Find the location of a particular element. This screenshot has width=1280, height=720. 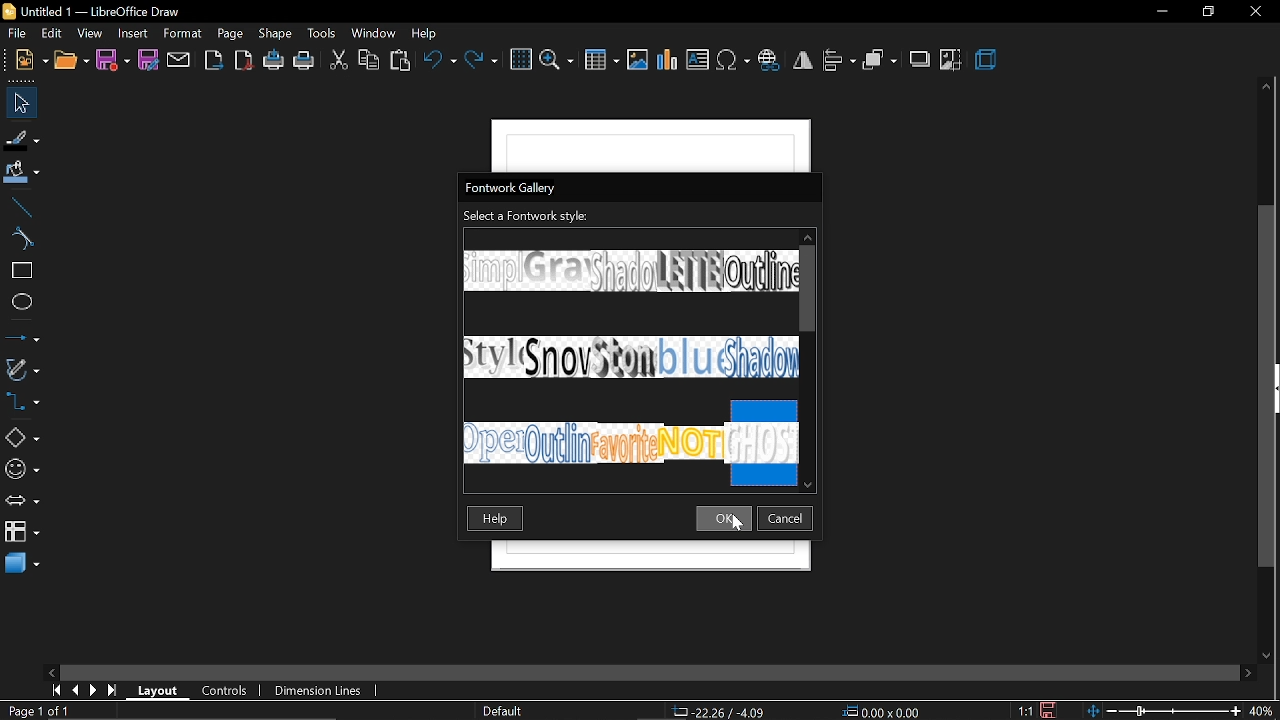

move up is located at coordinates (1268, 88).